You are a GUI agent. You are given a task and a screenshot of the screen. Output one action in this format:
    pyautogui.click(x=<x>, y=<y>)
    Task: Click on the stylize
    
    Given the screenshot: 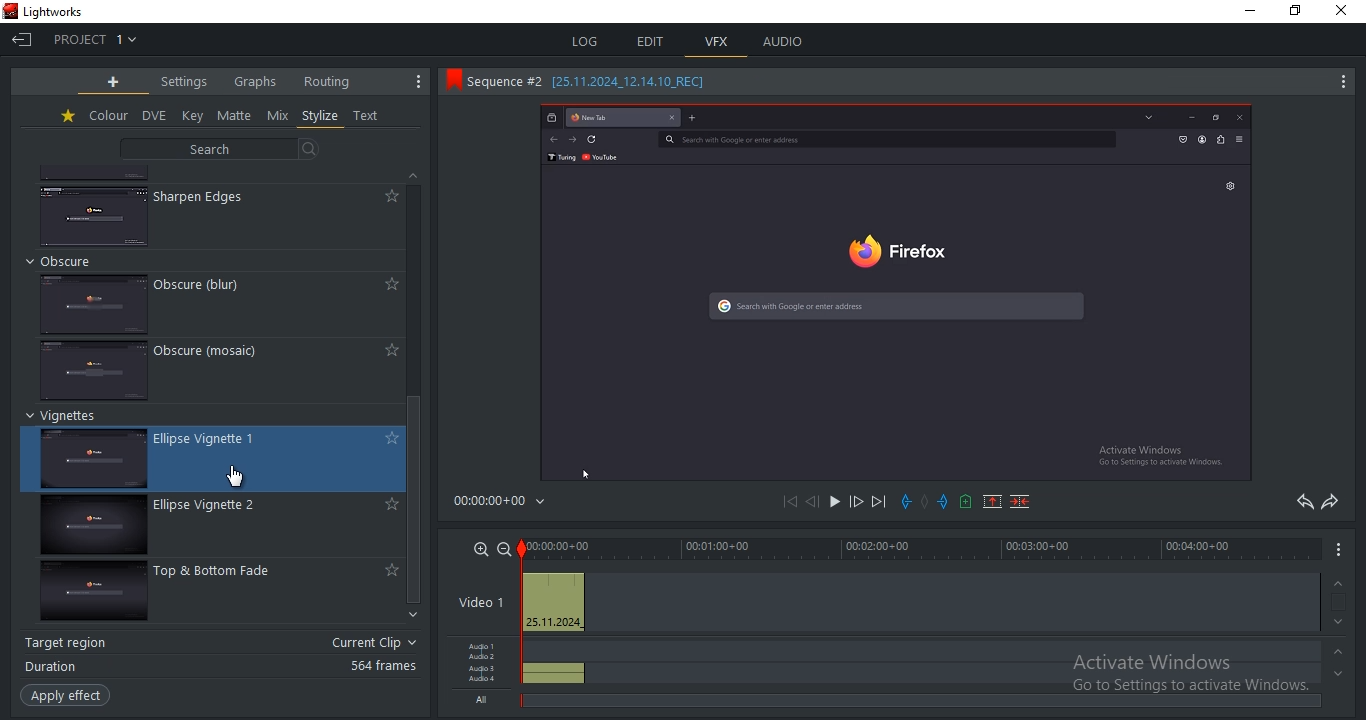 What is the action you would take?
    pyautogui.click(x=320, y=116)
    